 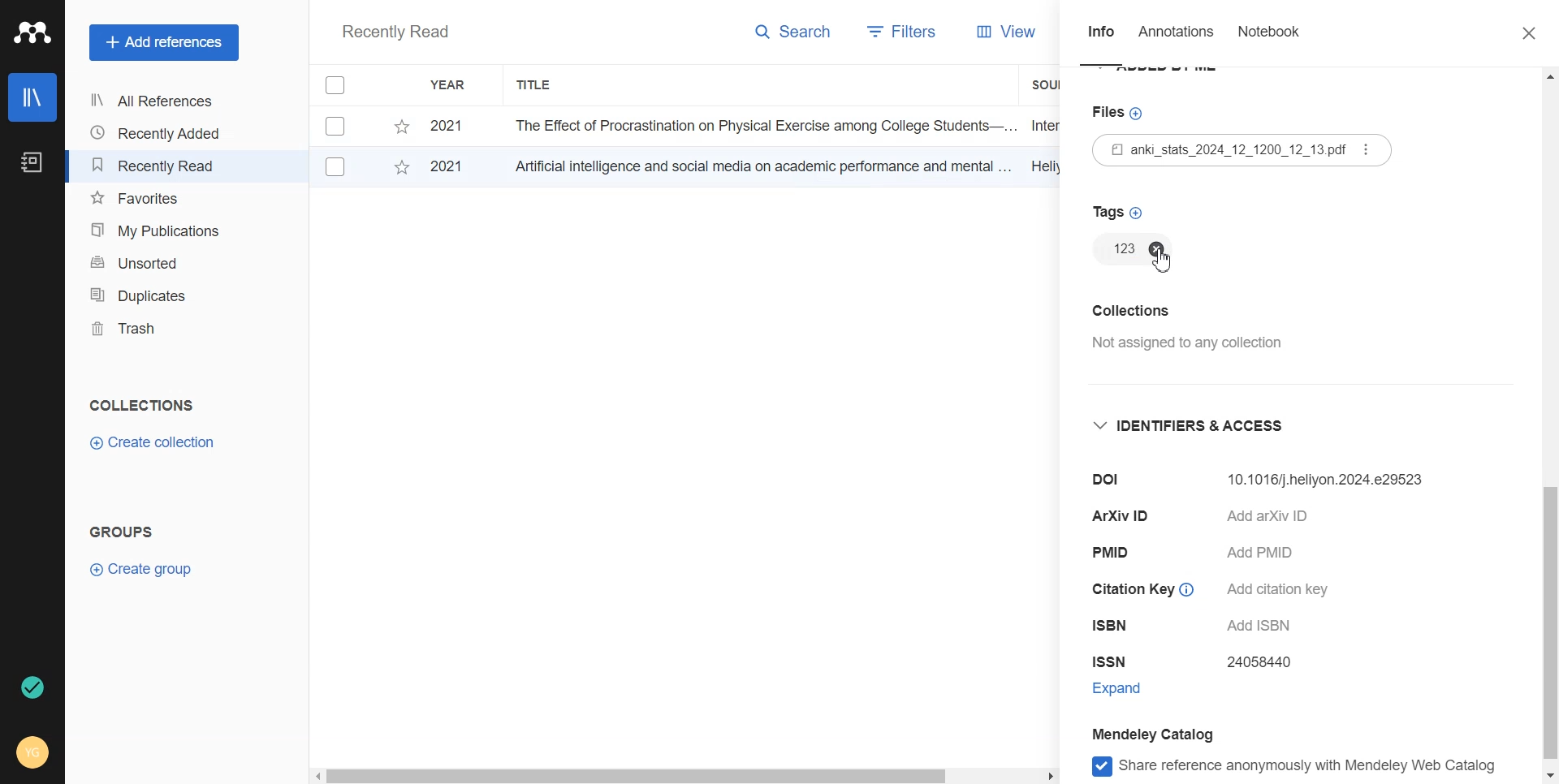 I want to click on Create Collection, so click(x=154, y=443).